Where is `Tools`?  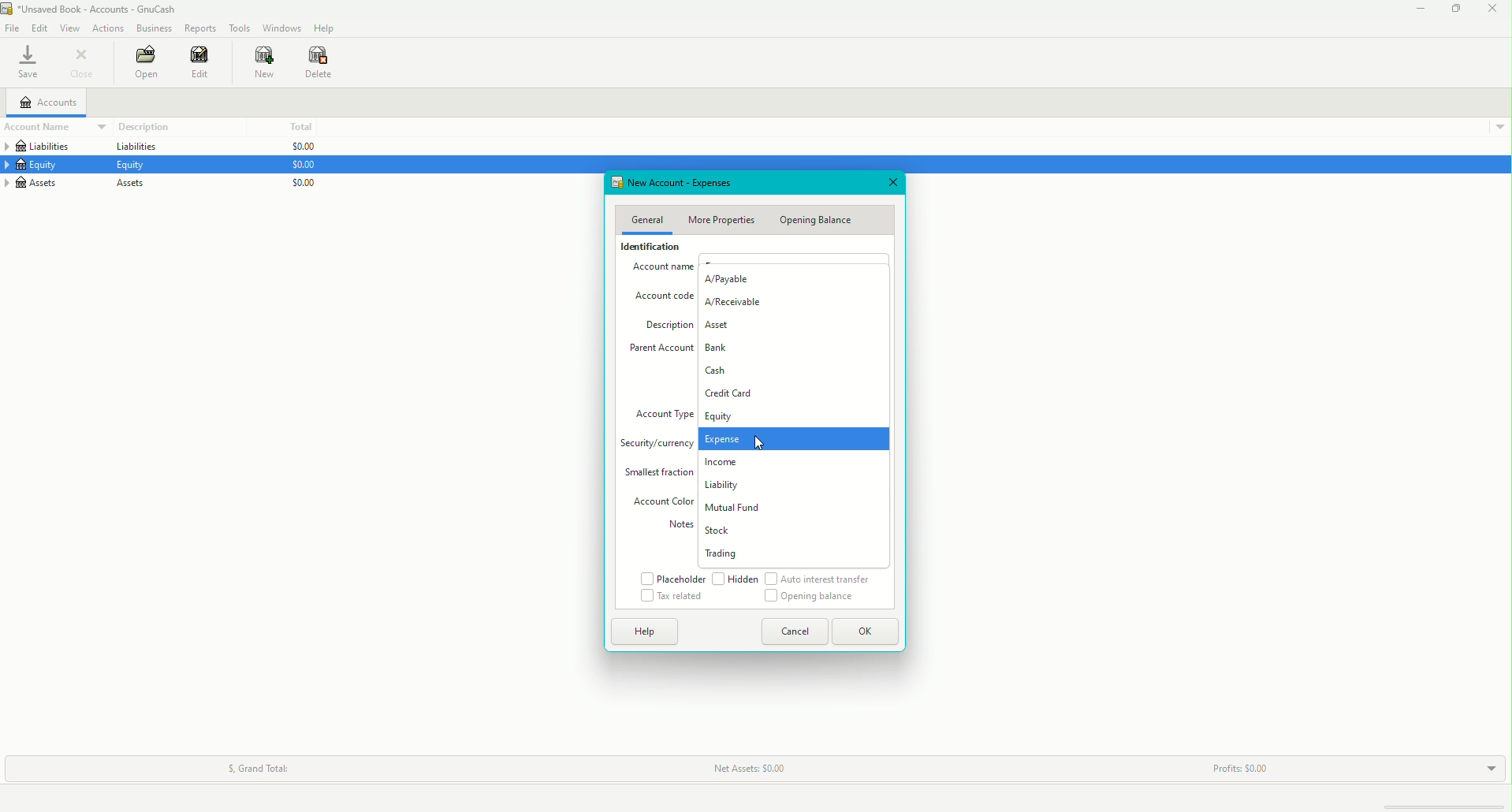 Tools is located at coordinates (238, 25).